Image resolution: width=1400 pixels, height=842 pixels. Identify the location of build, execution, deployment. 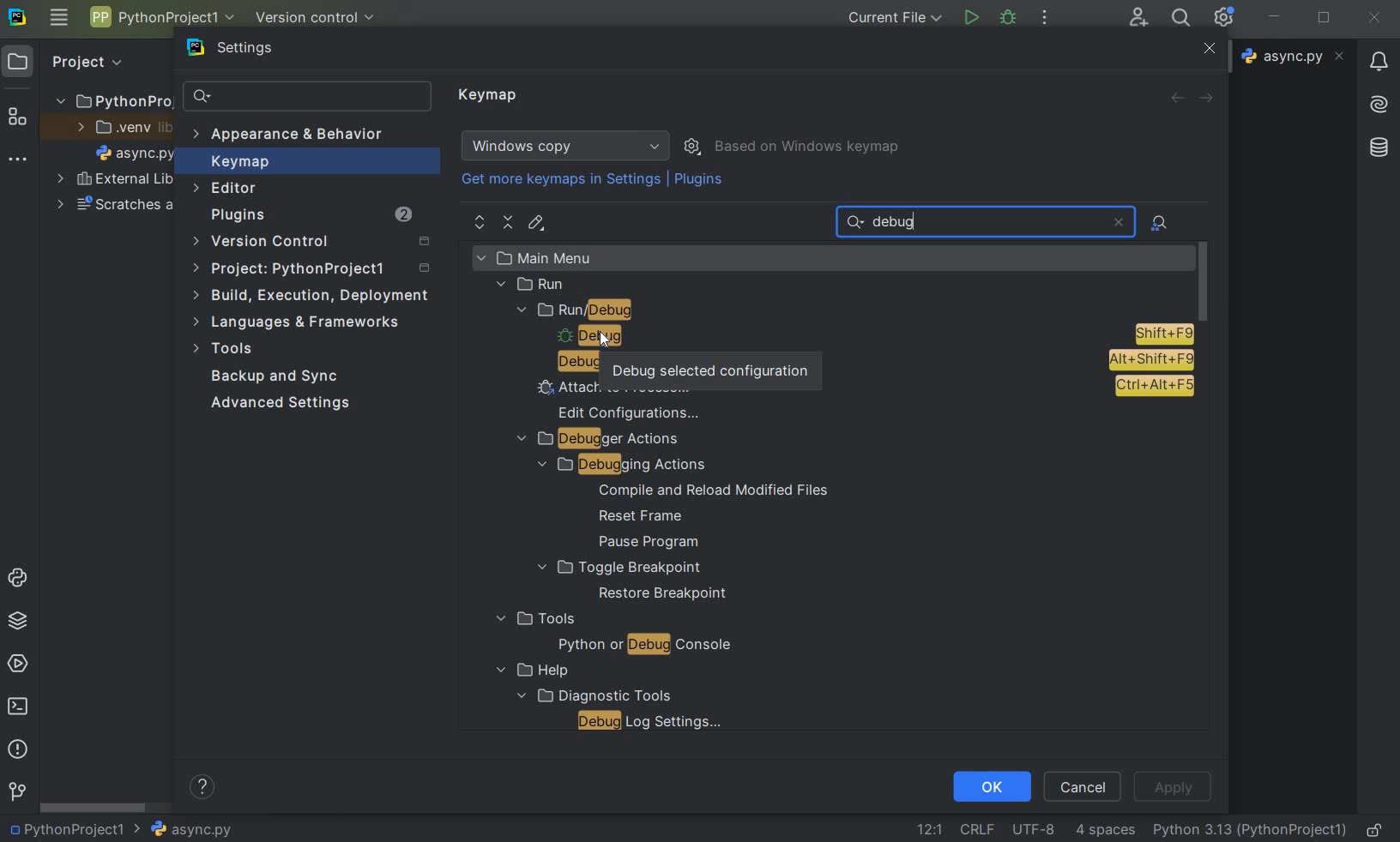
(312, 295).